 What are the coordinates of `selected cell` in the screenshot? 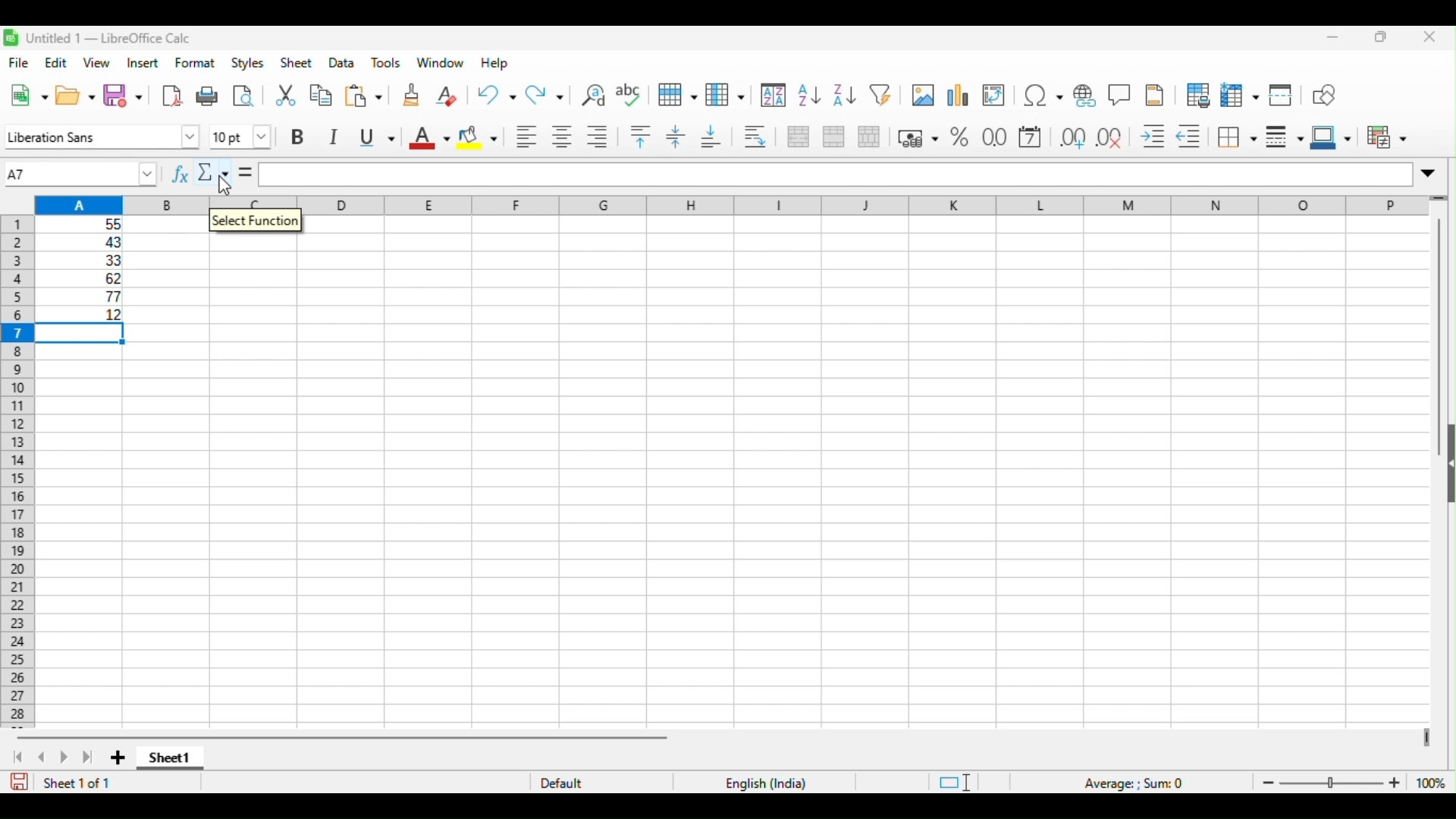 It's located at (81, 336).